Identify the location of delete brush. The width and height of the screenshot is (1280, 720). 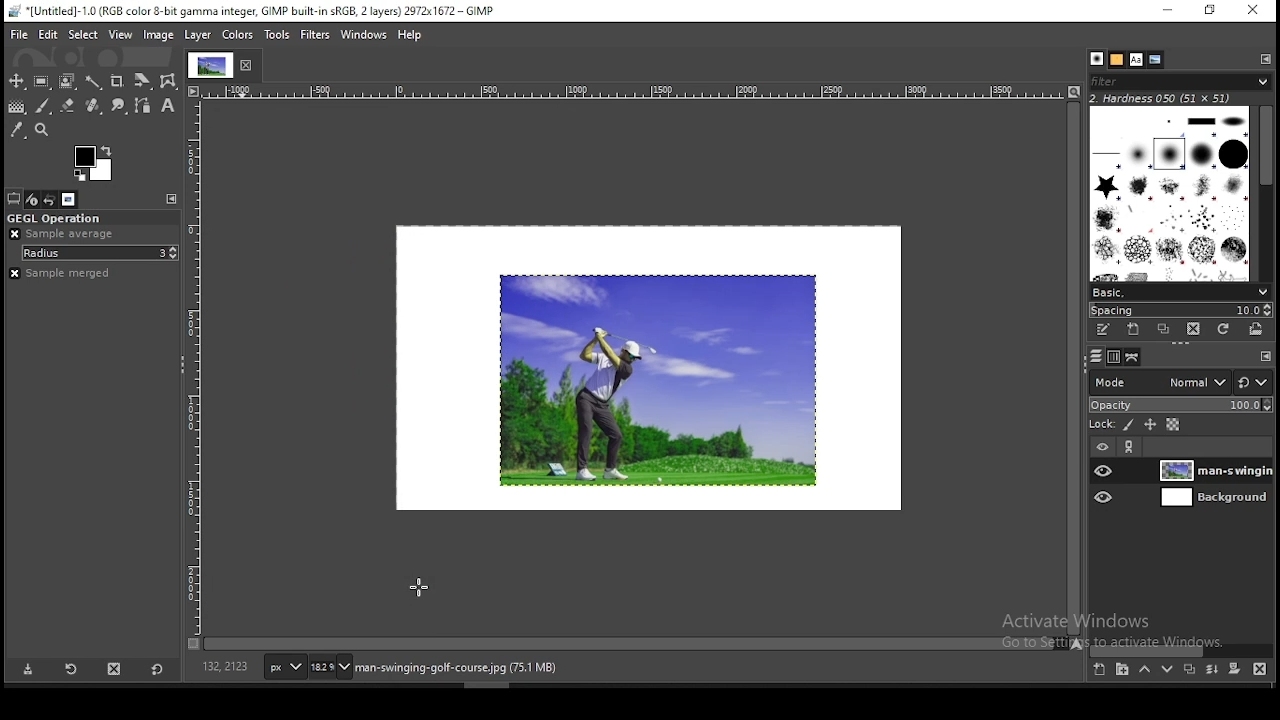
(1192, 329).